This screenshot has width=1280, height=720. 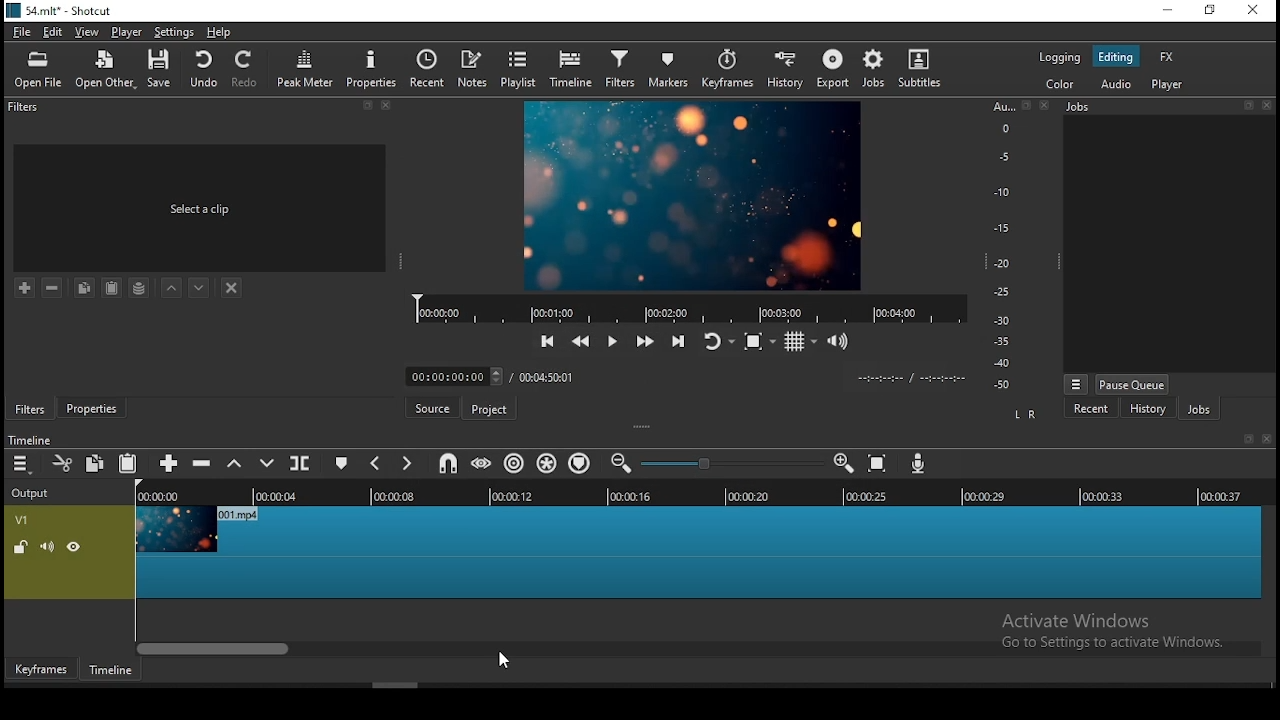 I want to click on copy, so click(x=95, y=462).